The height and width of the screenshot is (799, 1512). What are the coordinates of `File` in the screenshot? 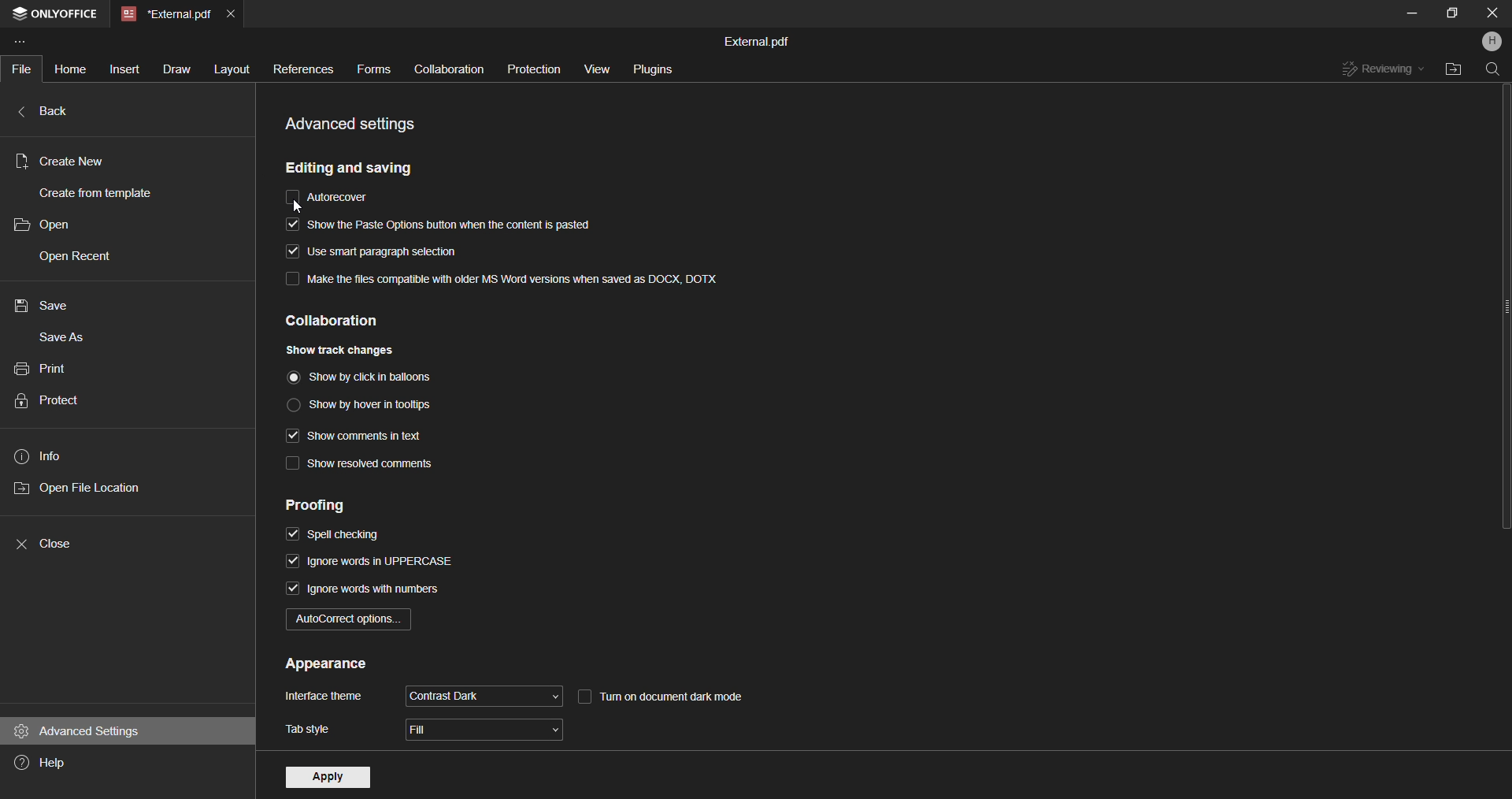 It's located at (25, 69).